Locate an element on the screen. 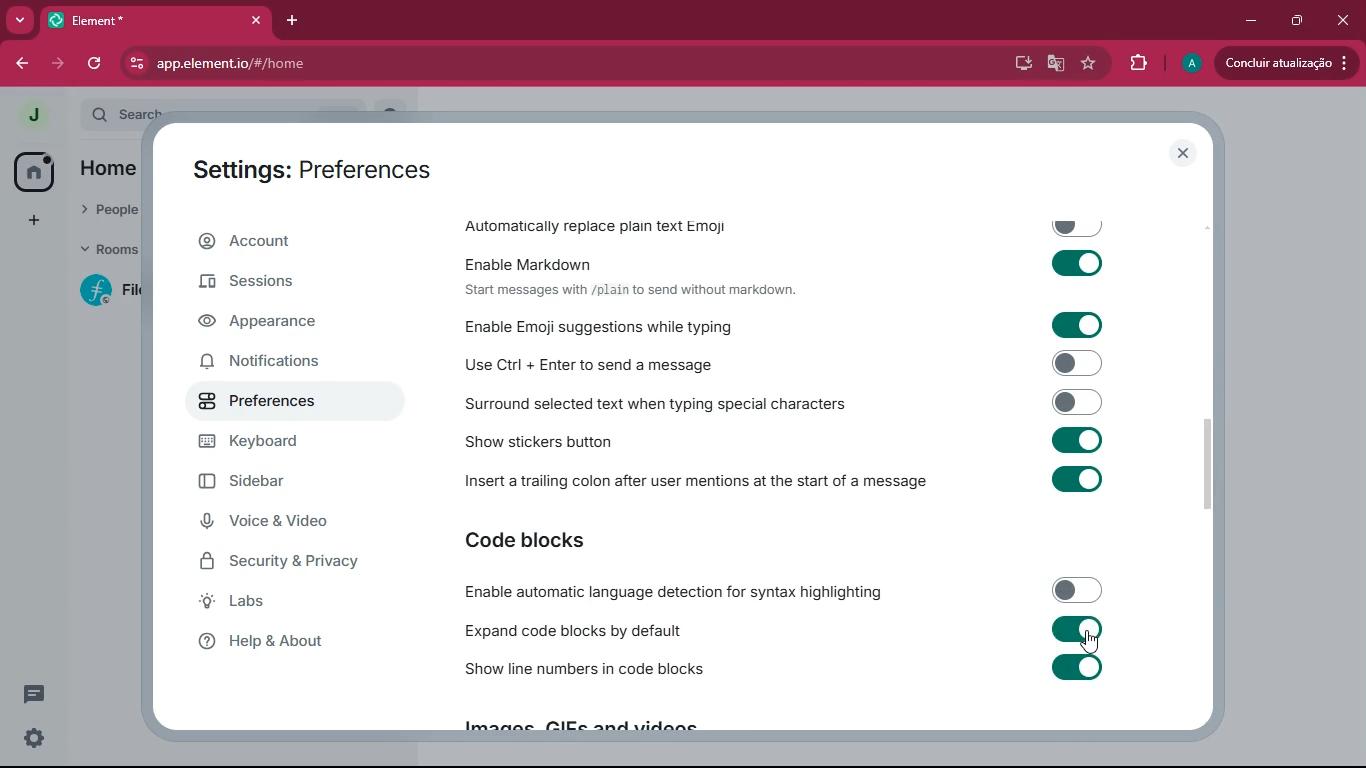  appearance is located at coordinates (293, 323).